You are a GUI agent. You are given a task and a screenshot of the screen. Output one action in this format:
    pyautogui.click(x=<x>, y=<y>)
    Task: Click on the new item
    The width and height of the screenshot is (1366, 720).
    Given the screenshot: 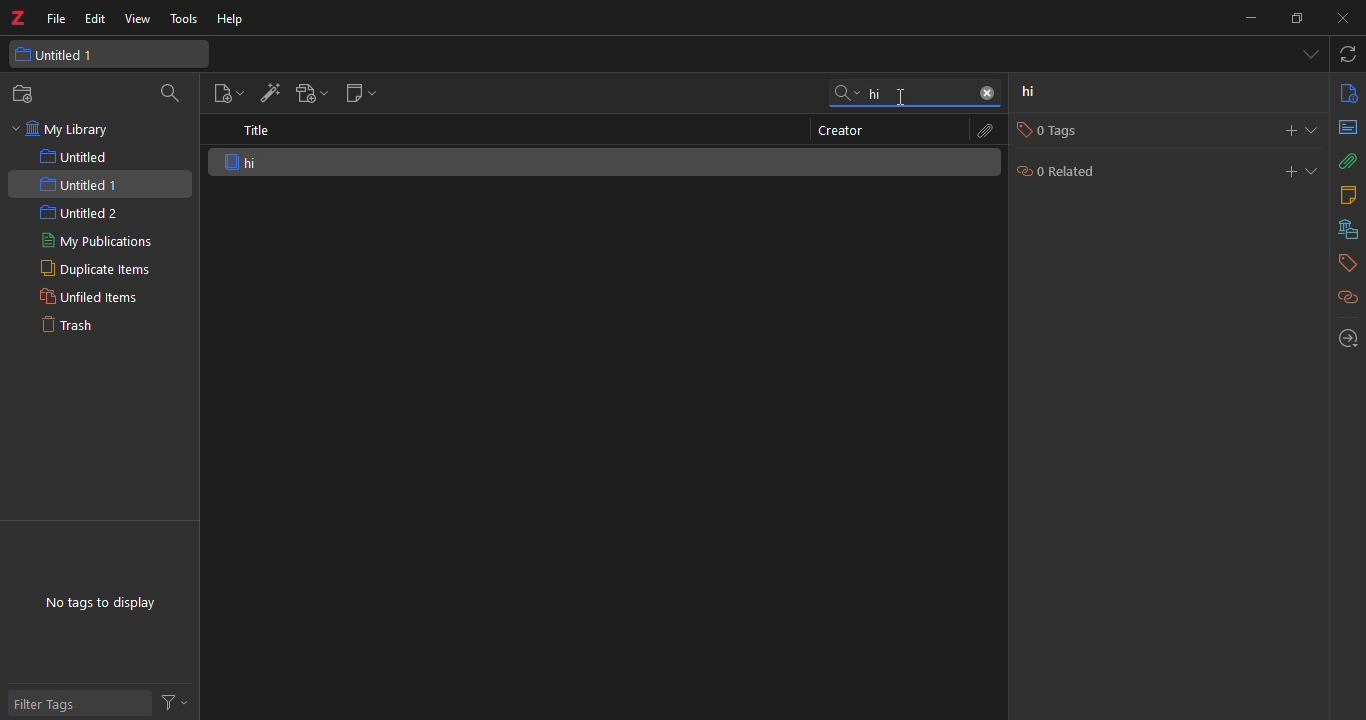 What is the action you would take?
    pyautogui.click(x=225, y=95)
    